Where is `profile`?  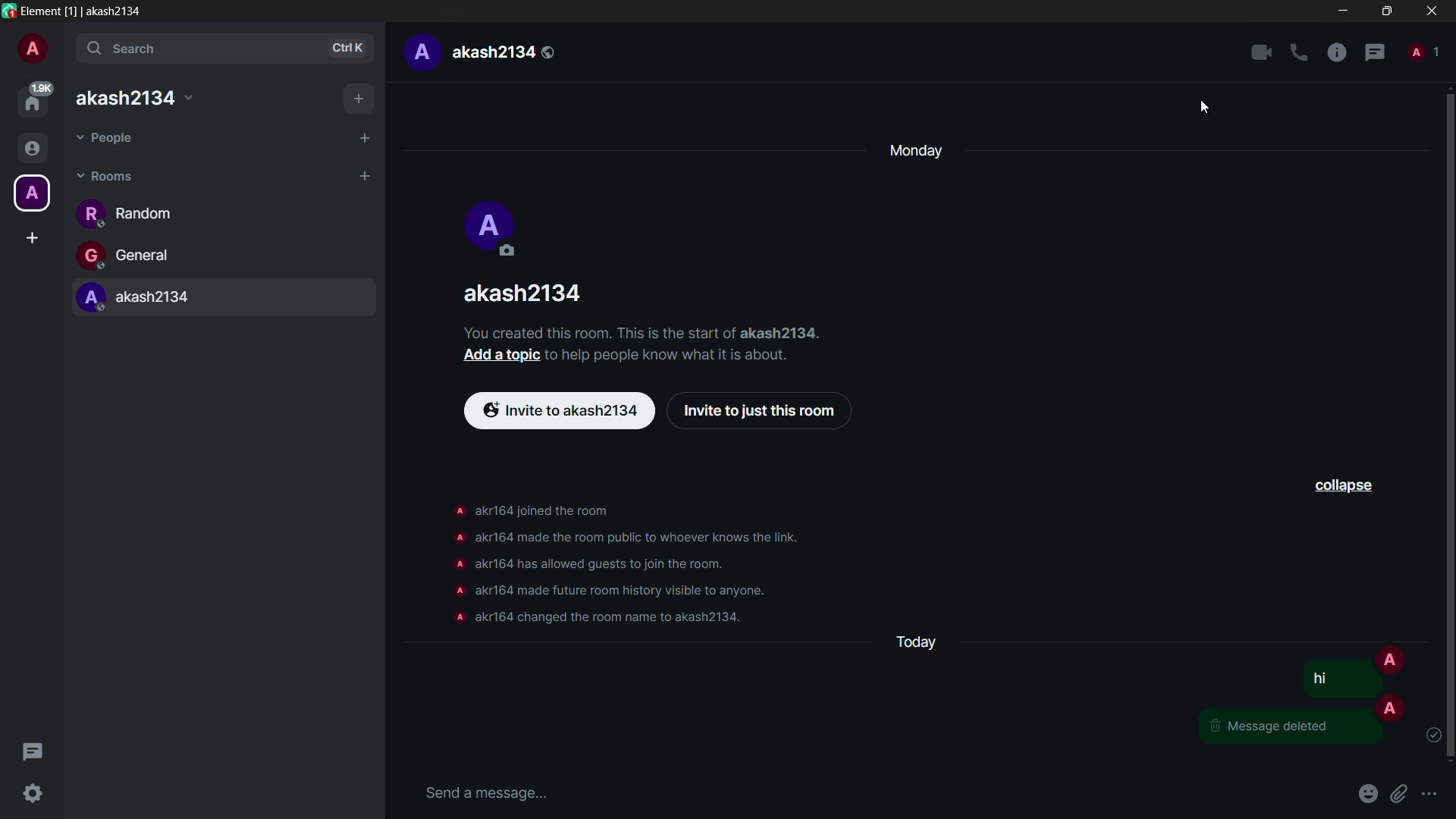 profile is located at coordinates (456, 619).